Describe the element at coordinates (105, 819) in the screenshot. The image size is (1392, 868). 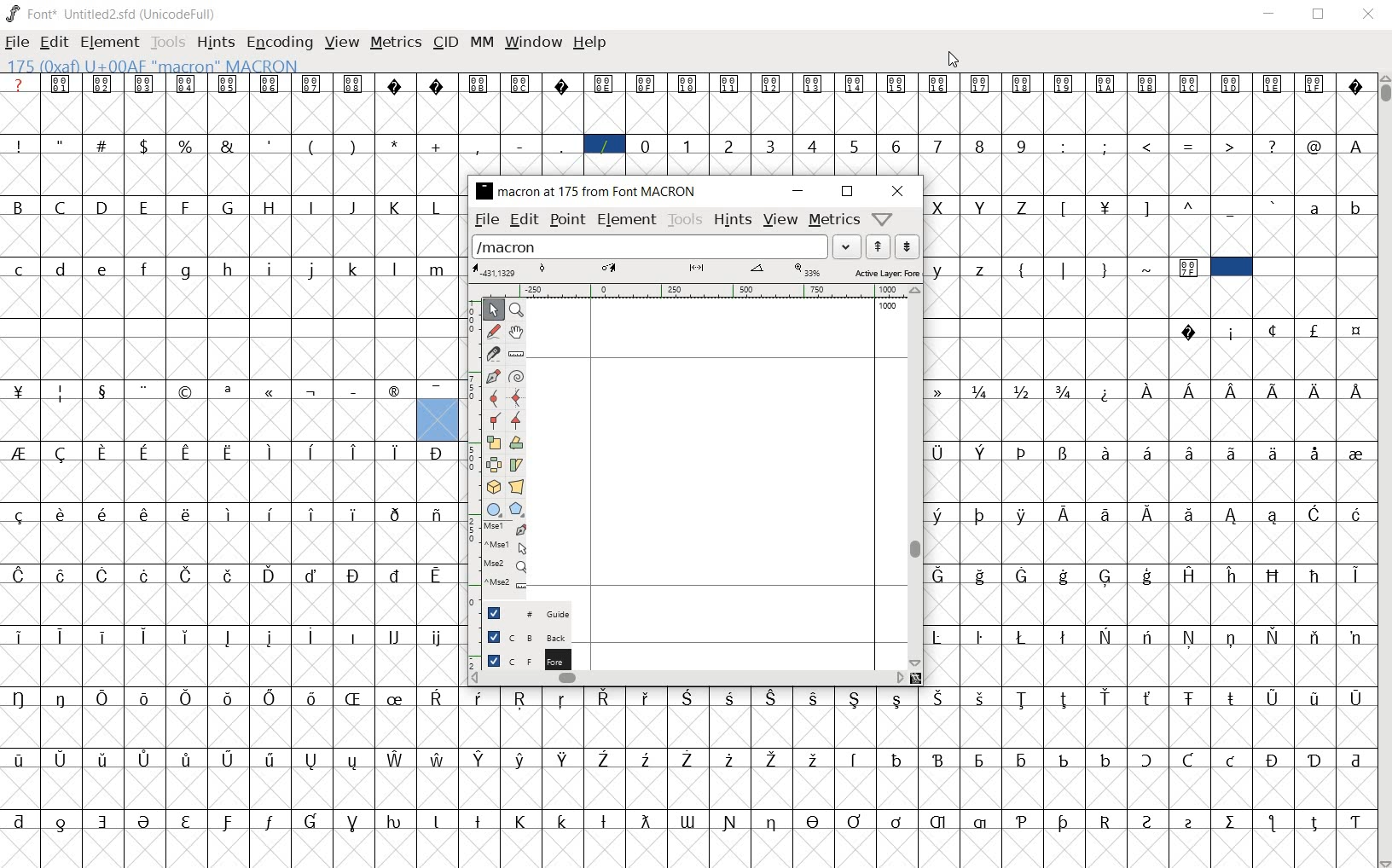
I see `Symbol` at that location.